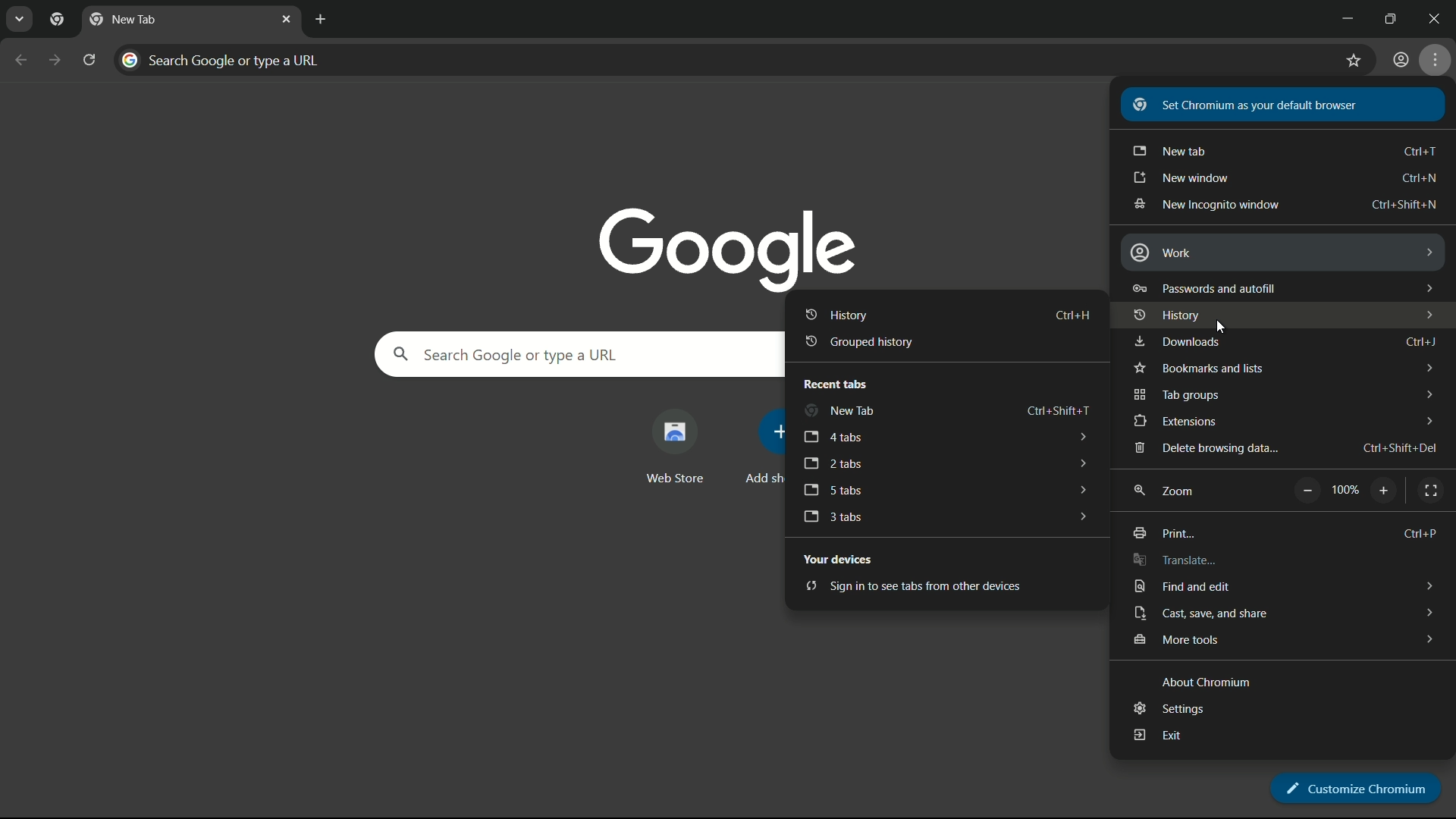  What do you see at coordinates (1207, 449) in the screenshot?
I see `delete browsing data` at bounding box center [1207, 449].